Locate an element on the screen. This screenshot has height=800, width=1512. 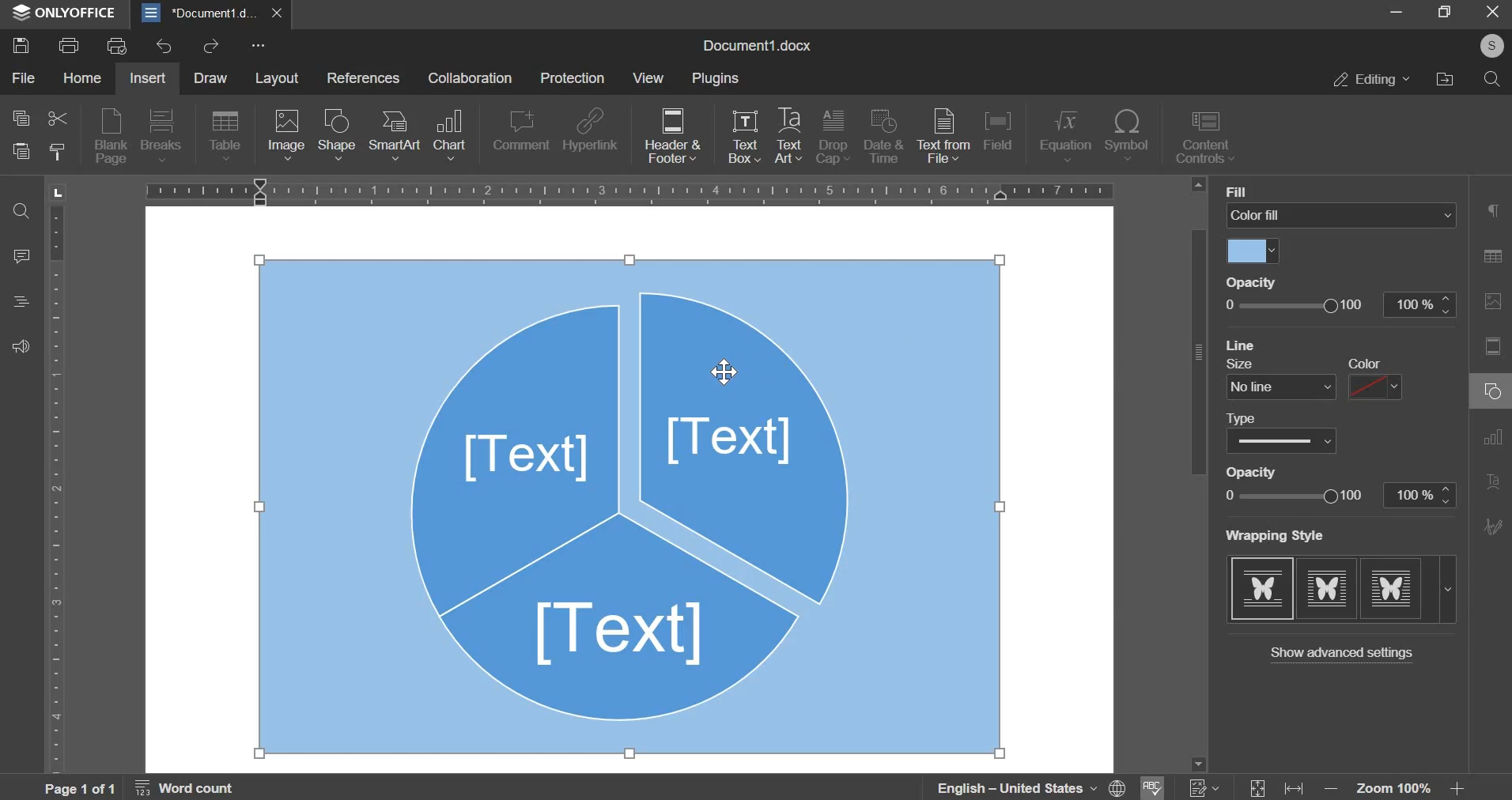
symbol is located at coordinates (1128, 135).